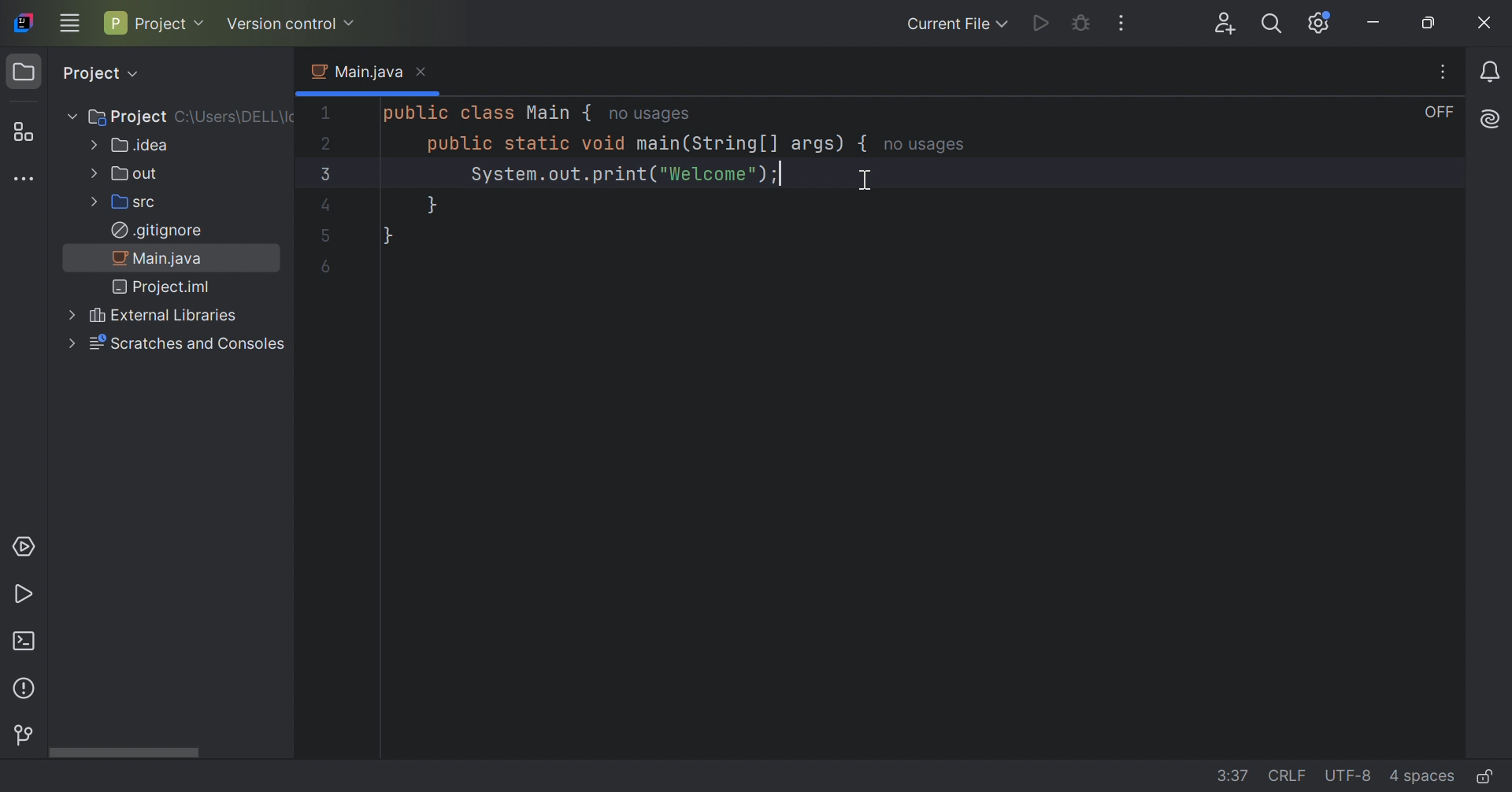 The height and width of the screenshot is (792, 1512). I want to click on Version control, so click(23, 735).